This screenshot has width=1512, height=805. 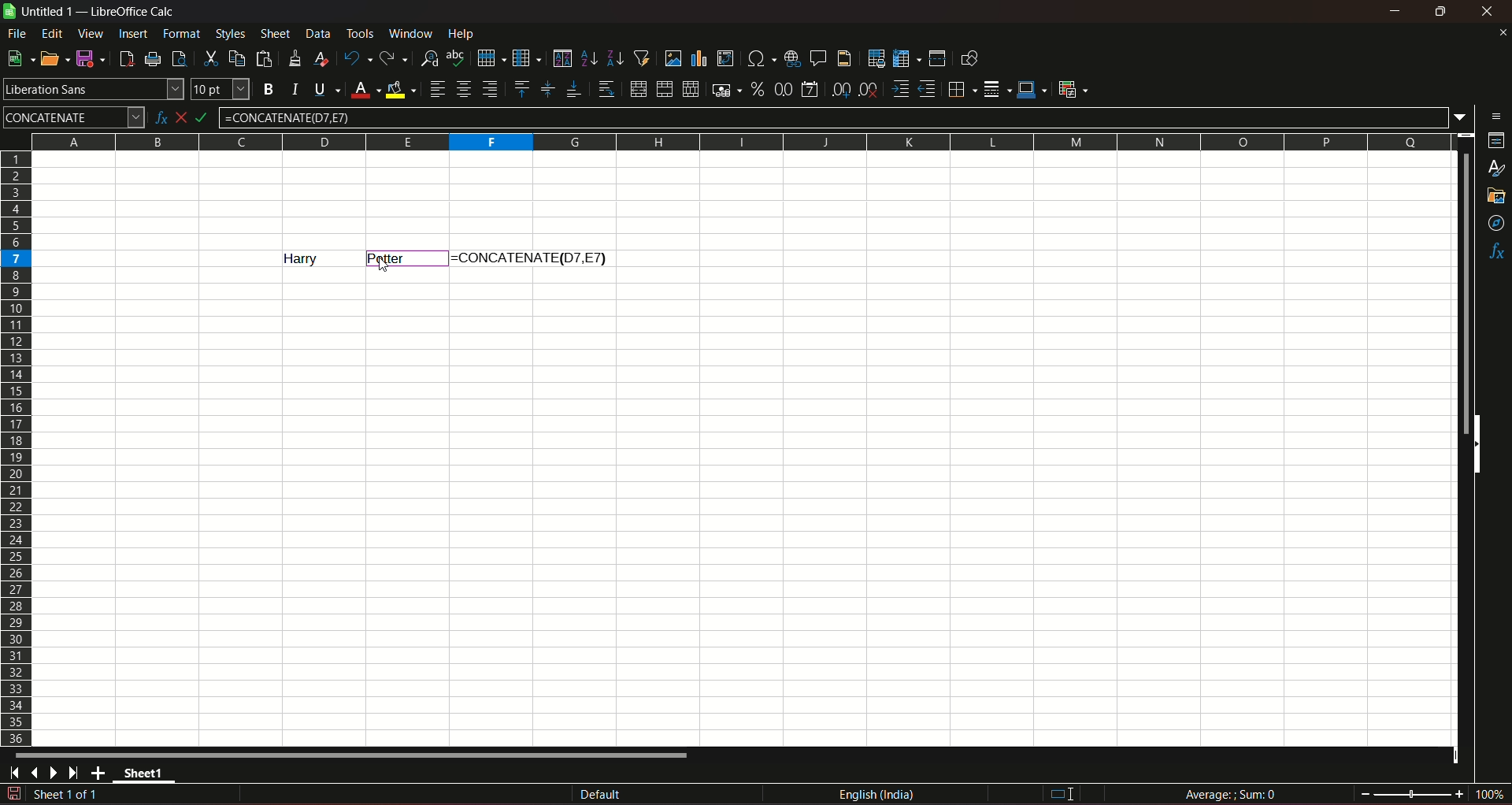 What do you see at coordinates (365, 91) in the screenshot?
I see `font color` at bounding box center [365, 91].